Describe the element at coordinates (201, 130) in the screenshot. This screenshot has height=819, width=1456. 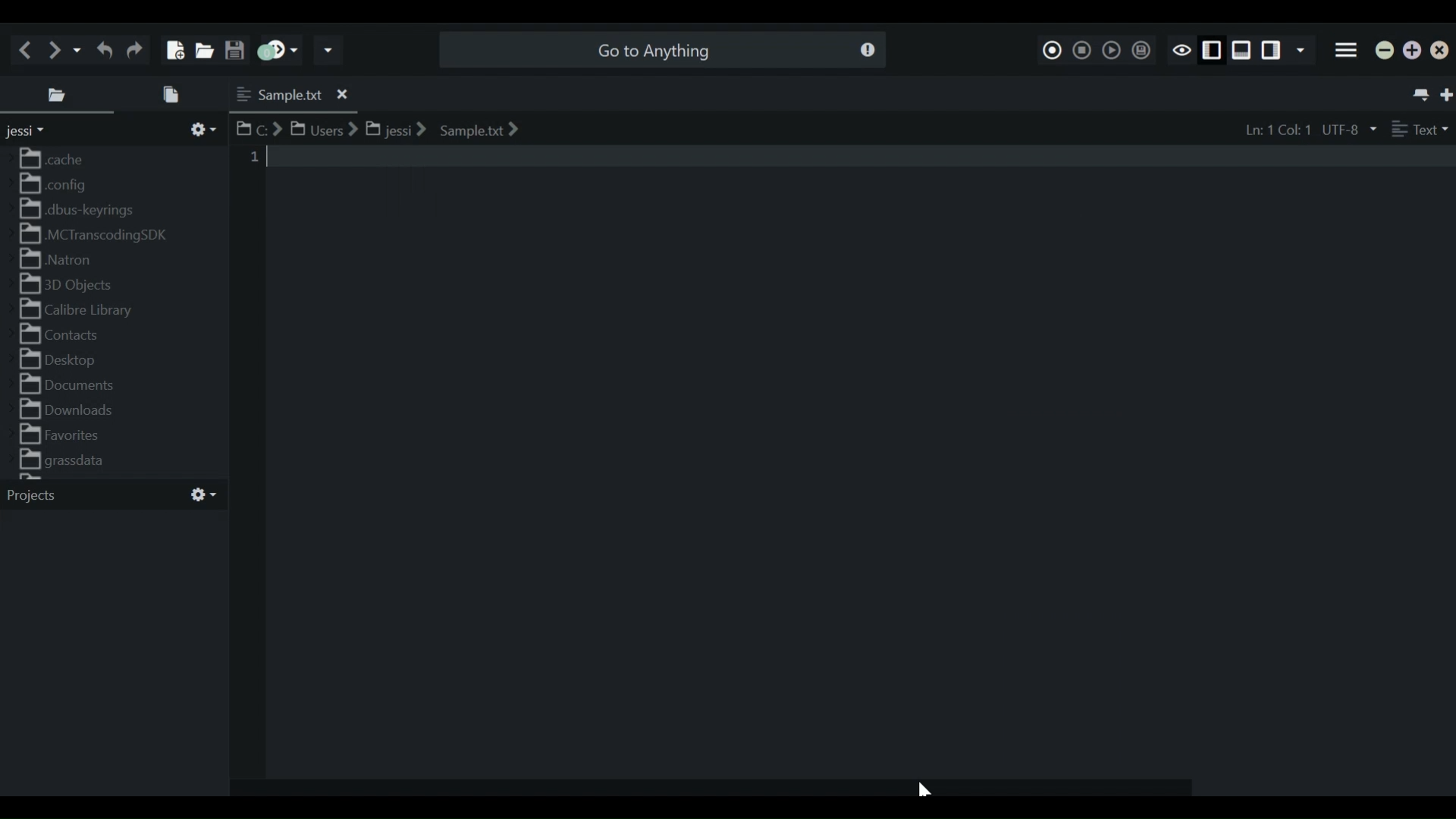
I see `Customize` at that location.